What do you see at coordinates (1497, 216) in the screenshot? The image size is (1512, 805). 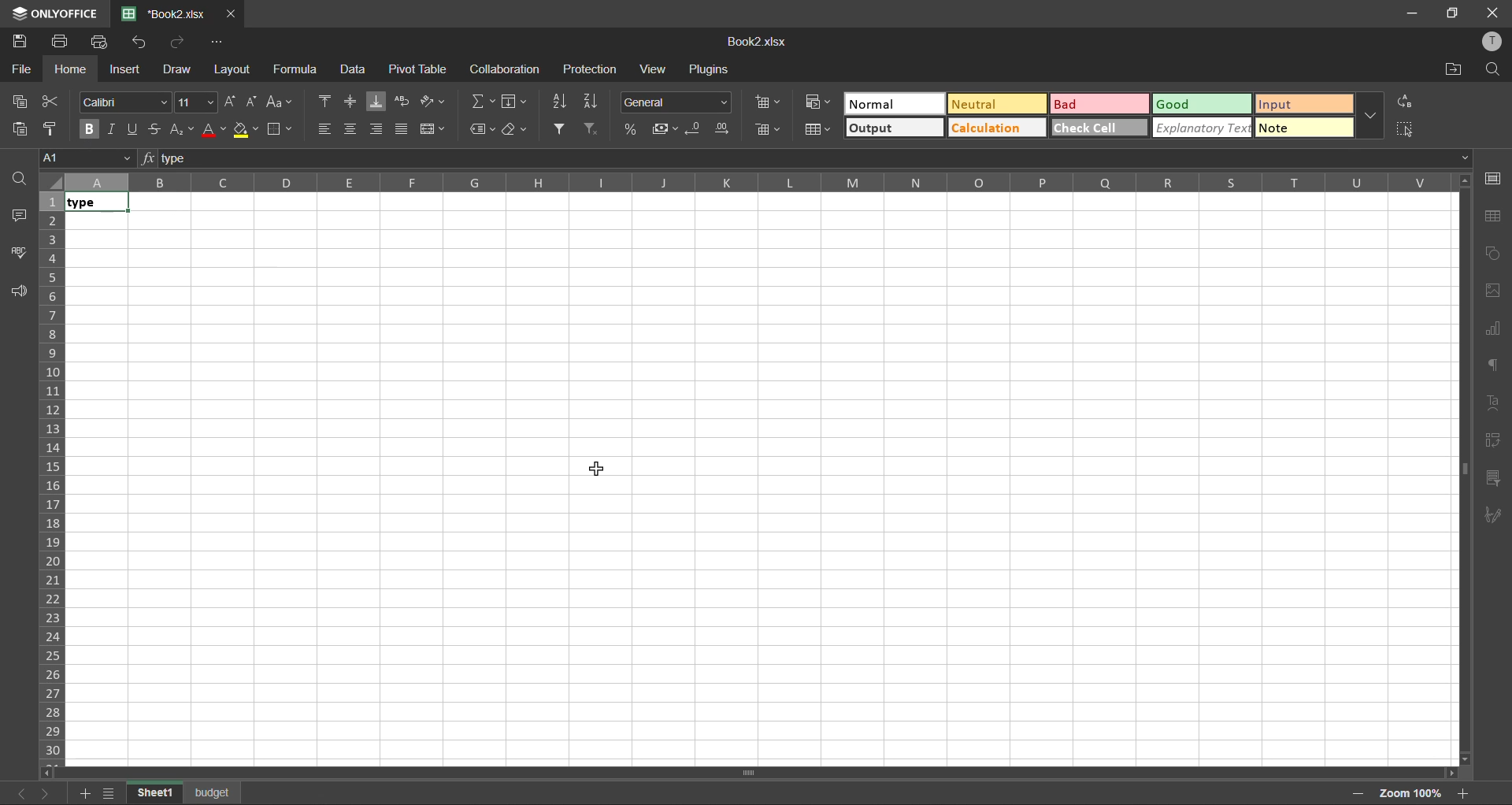 I see `table` at bounding box center [1497, 216].